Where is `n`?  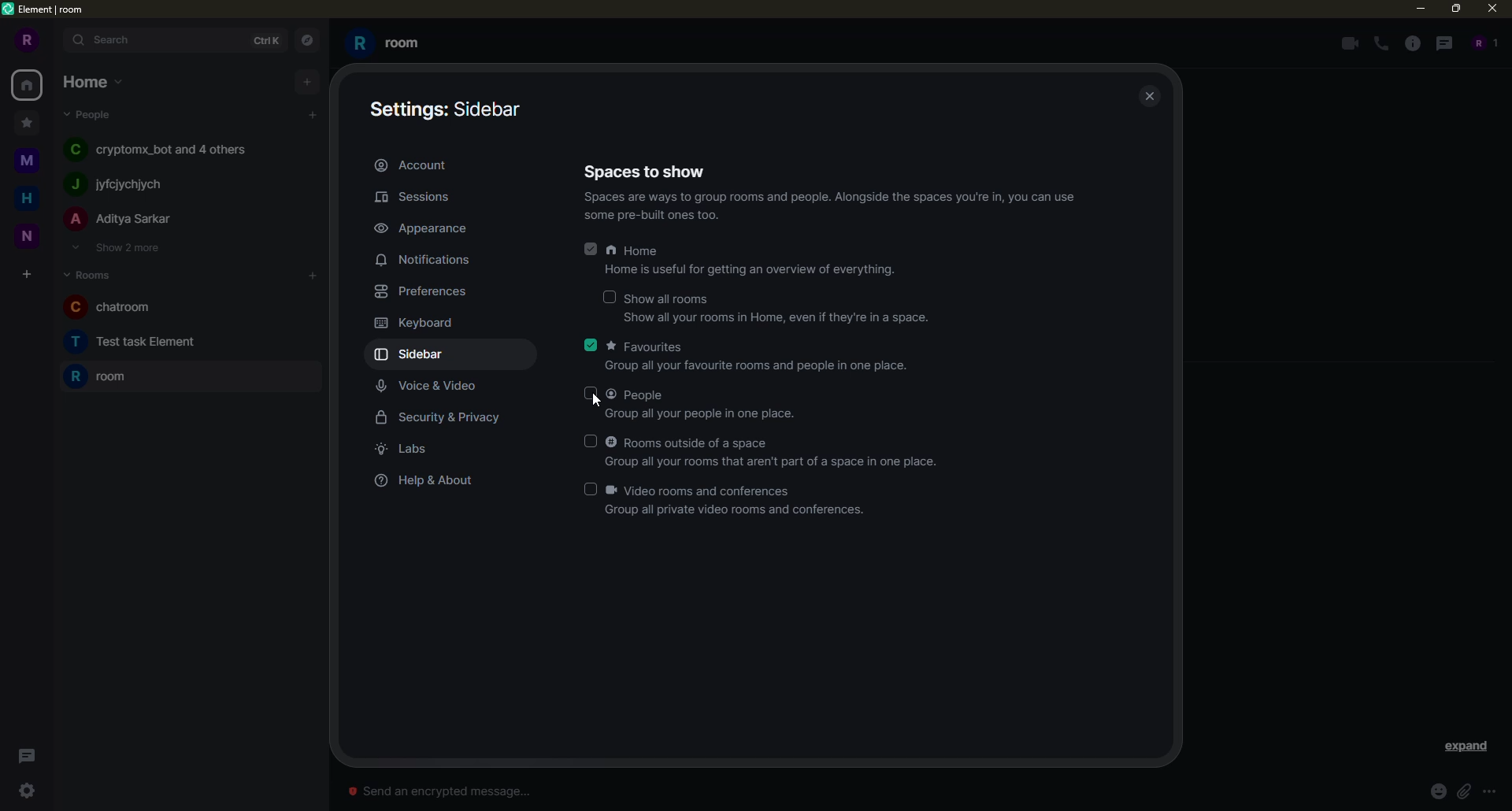 n is located at coordinates (26, 239).